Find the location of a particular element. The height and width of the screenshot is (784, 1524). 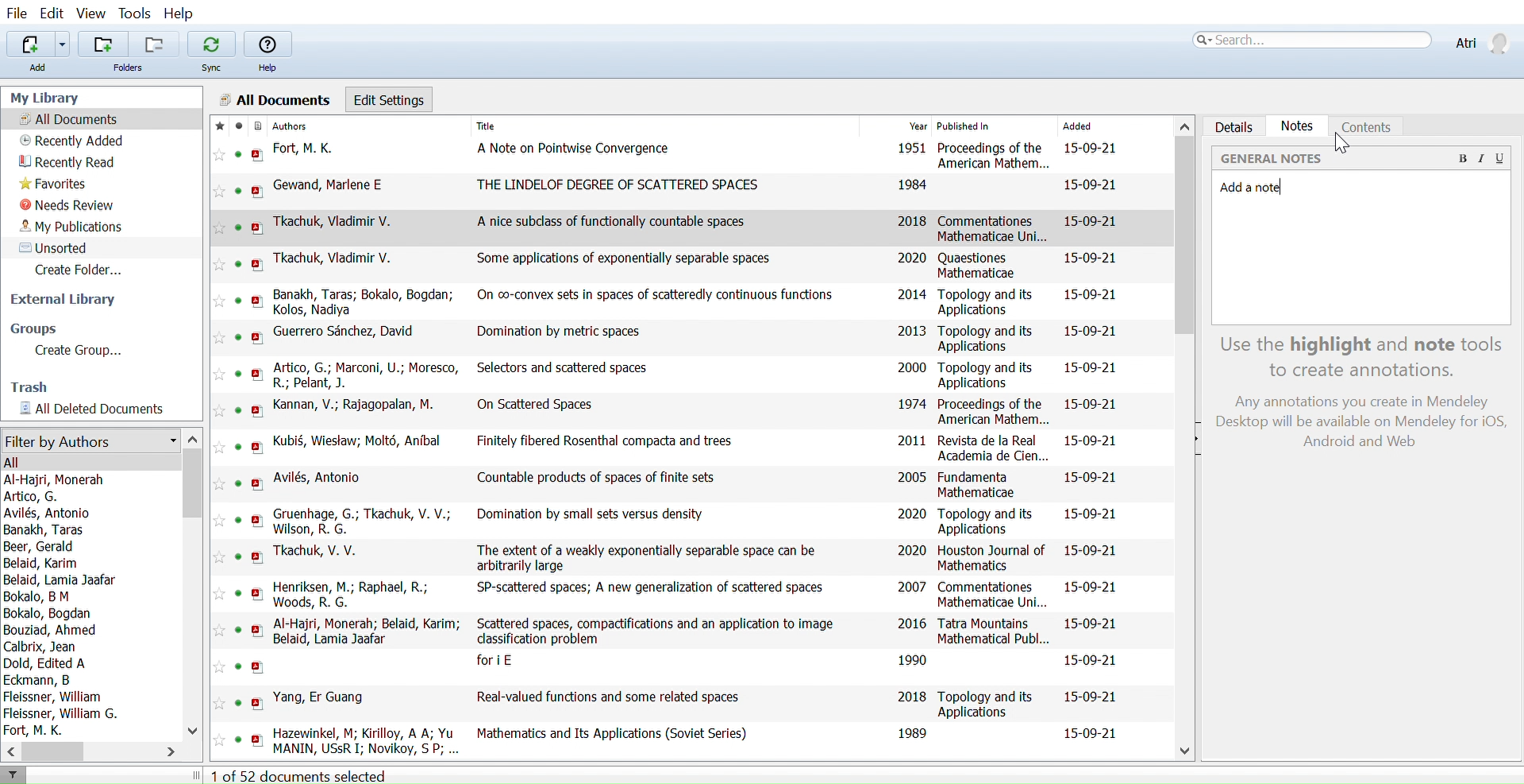

Domination by metric spaces is located at coordinates (562, 332).